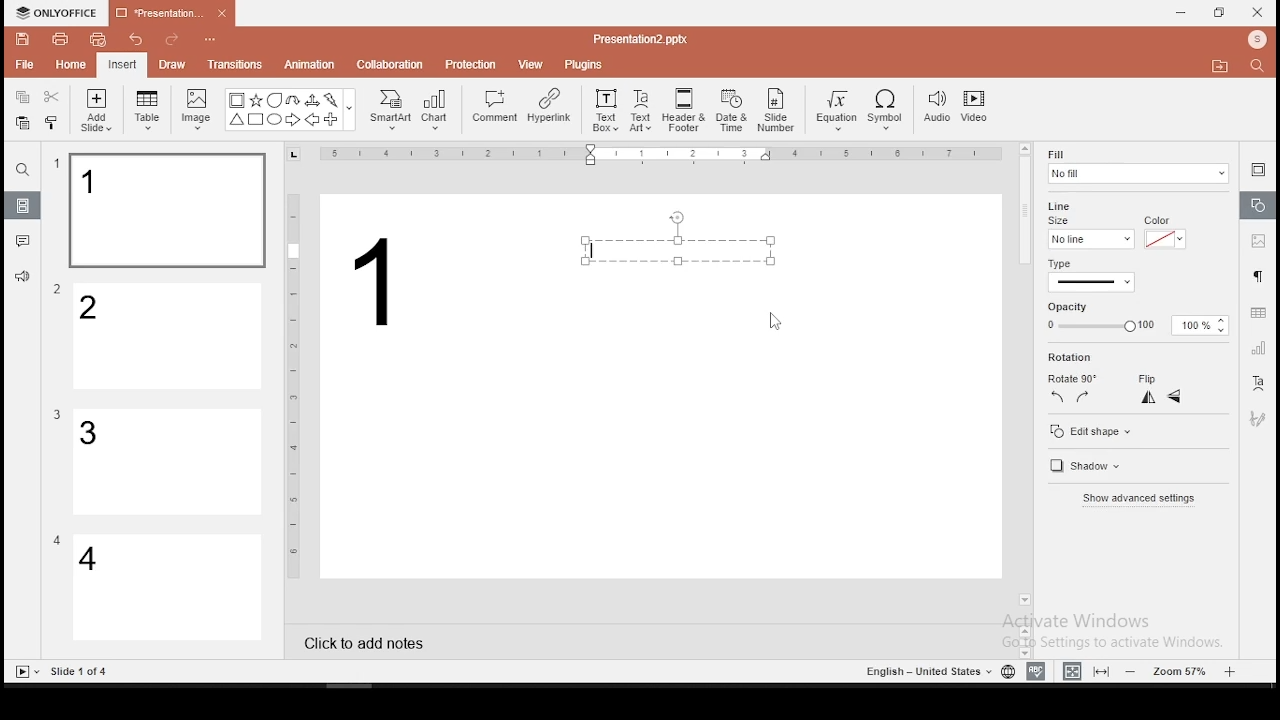 The height and width of the screenshot is (720, 1280). Describe the element at coordinates (641, 109) in the screenshot. I see `text art` at that location.